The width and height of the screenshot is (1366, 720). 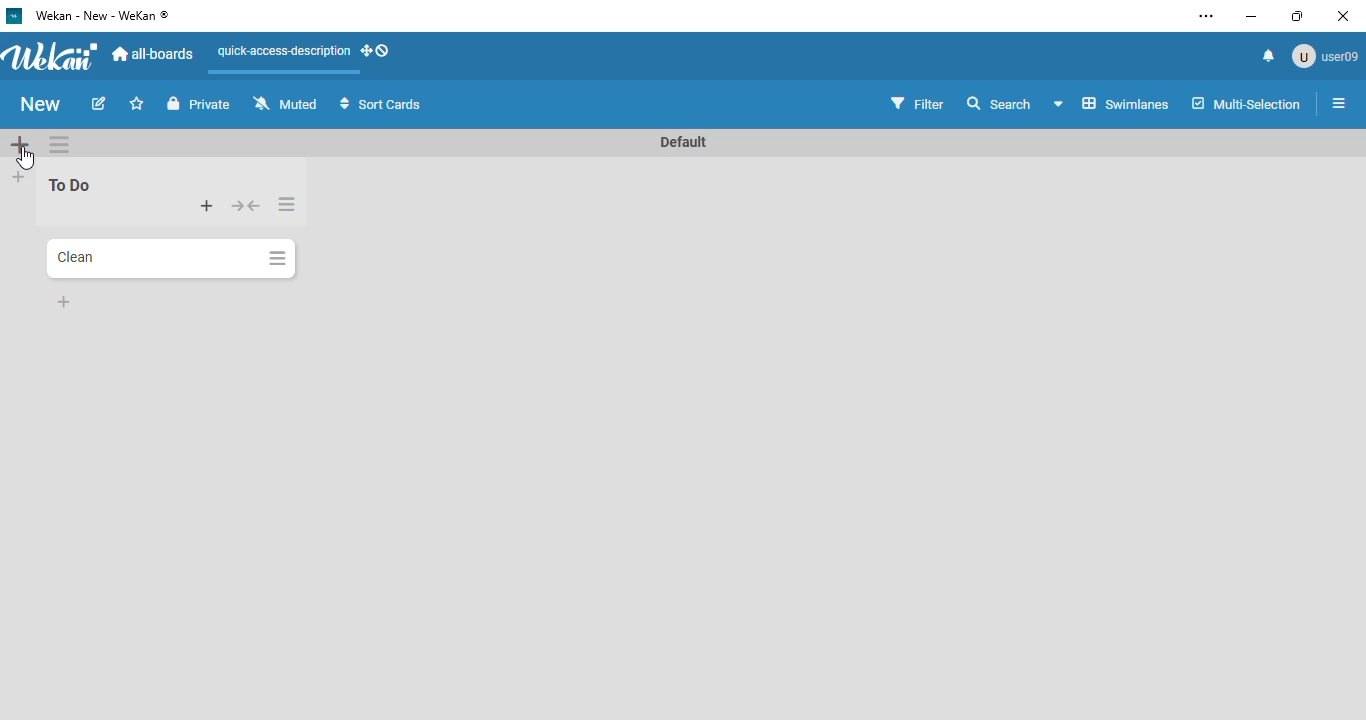 I want to click on muted, so click(x=286, y=102).